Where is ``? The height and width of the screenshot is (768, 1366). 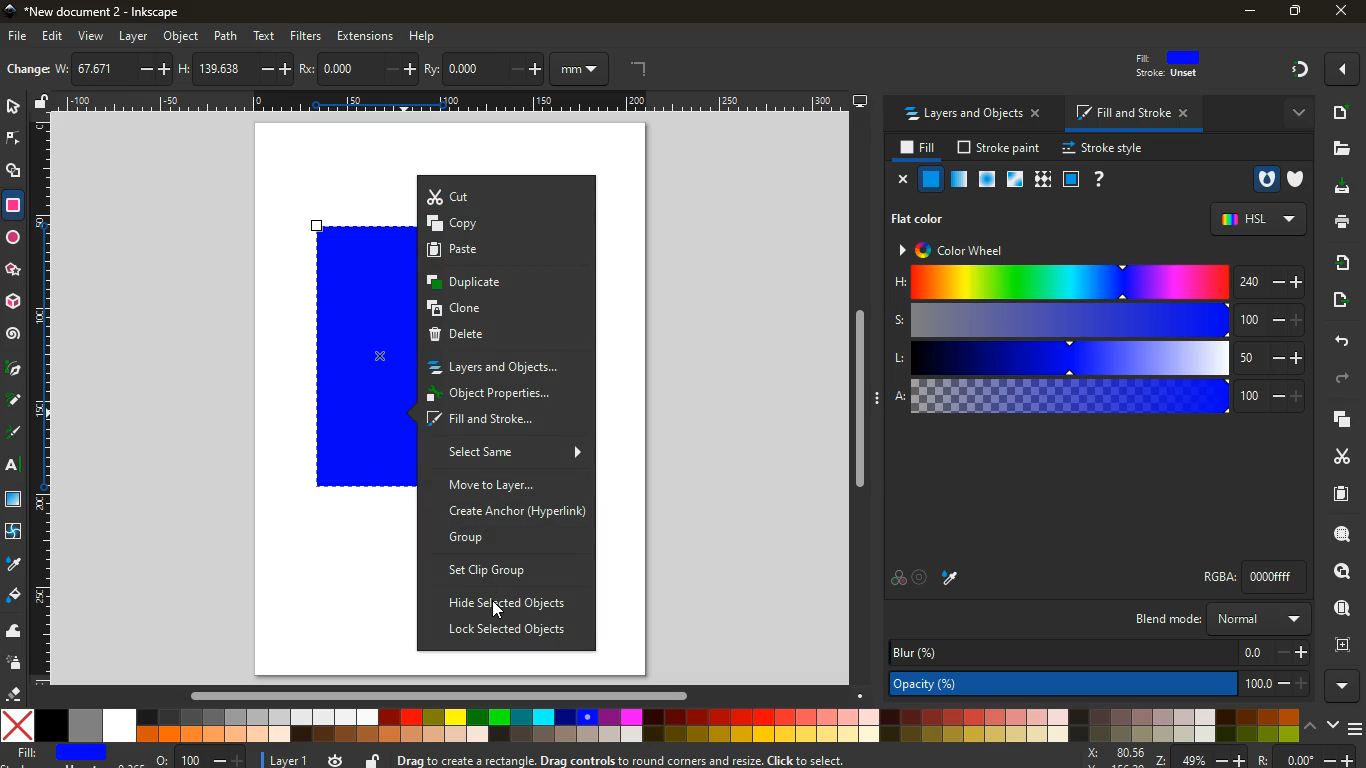
 is located at coordinates (1338, 71).